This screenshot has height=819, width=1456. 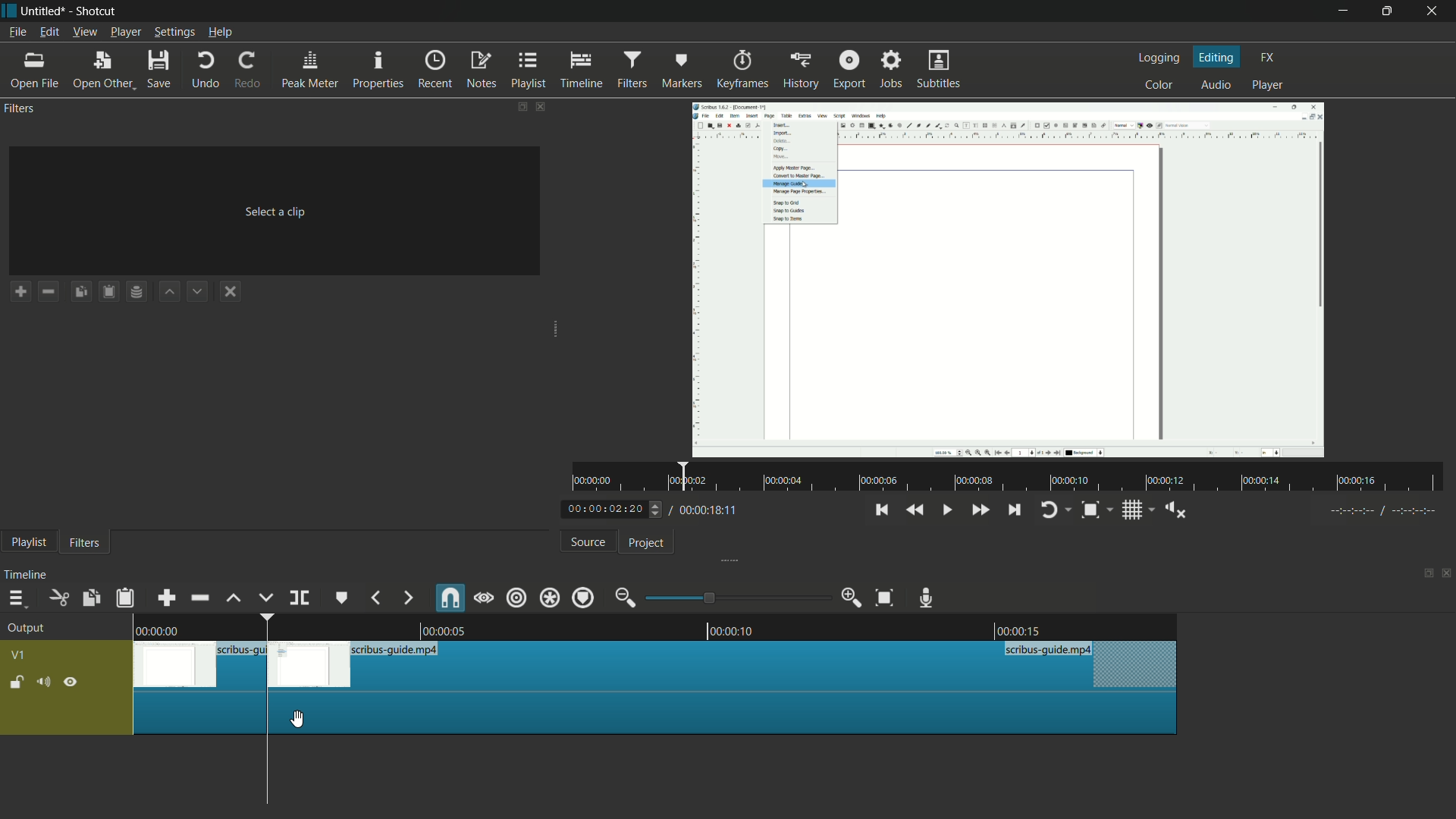 I want to click on history, so click(x=800, y=71).